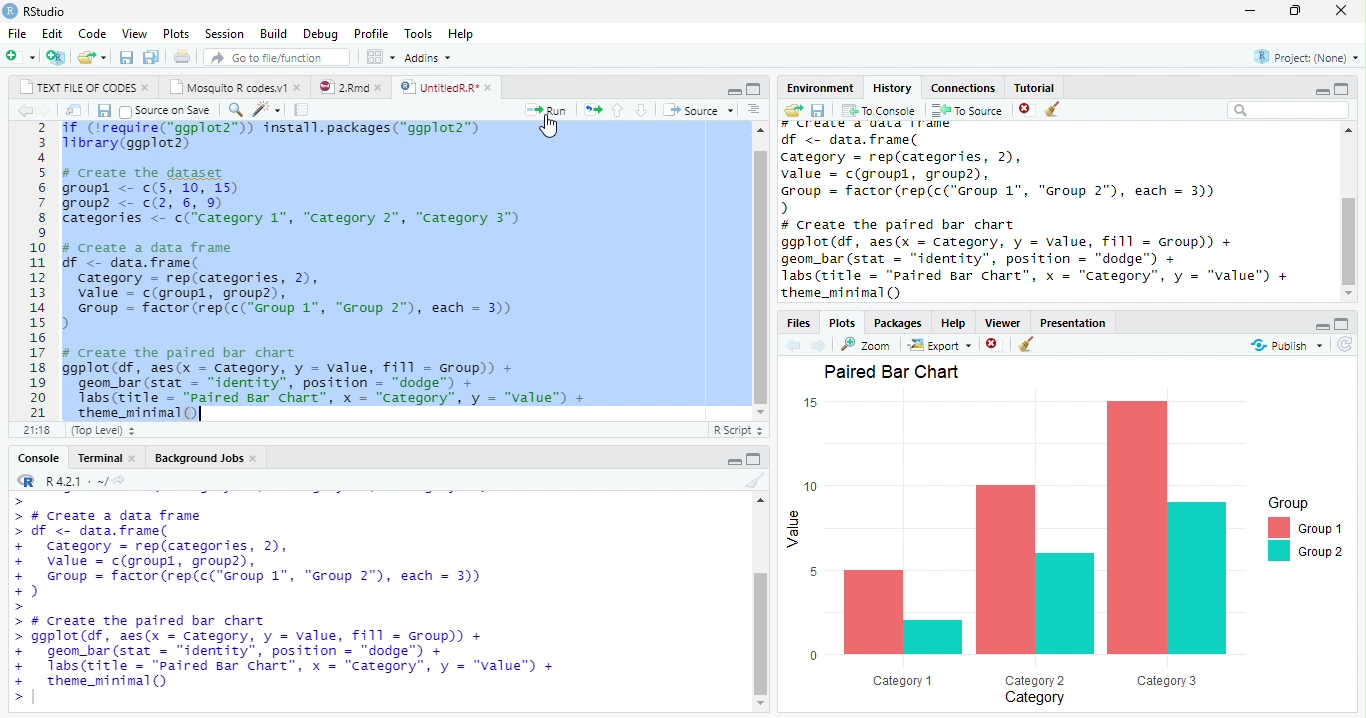 The image size is (1366, 718). What do you see at coordinates (1346, 89) in the screenshot?
I see `maximize` at bounding box center [1346, 89].